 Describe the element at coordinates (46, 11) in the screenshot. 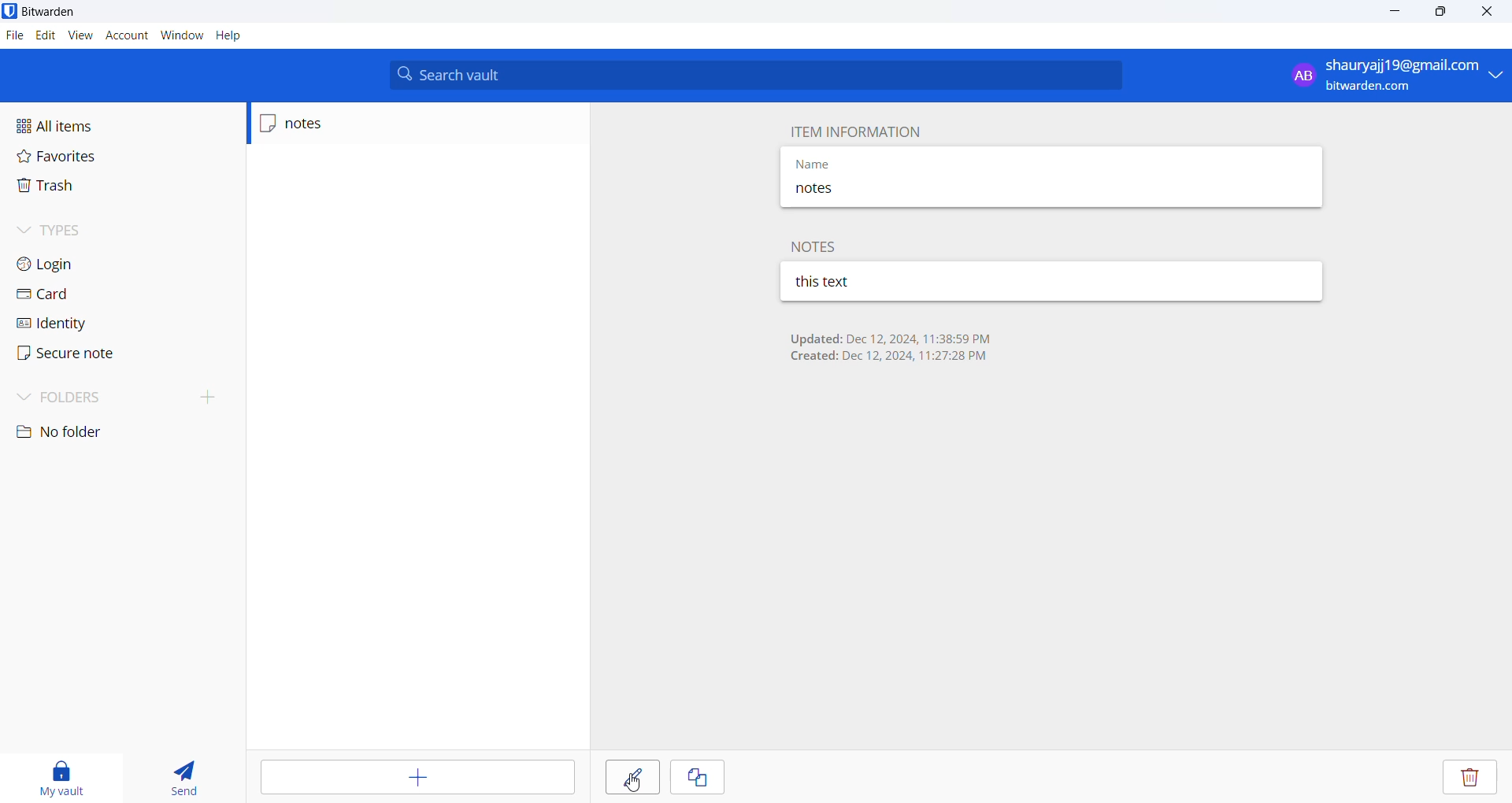

I see `bitwarden` at that location.